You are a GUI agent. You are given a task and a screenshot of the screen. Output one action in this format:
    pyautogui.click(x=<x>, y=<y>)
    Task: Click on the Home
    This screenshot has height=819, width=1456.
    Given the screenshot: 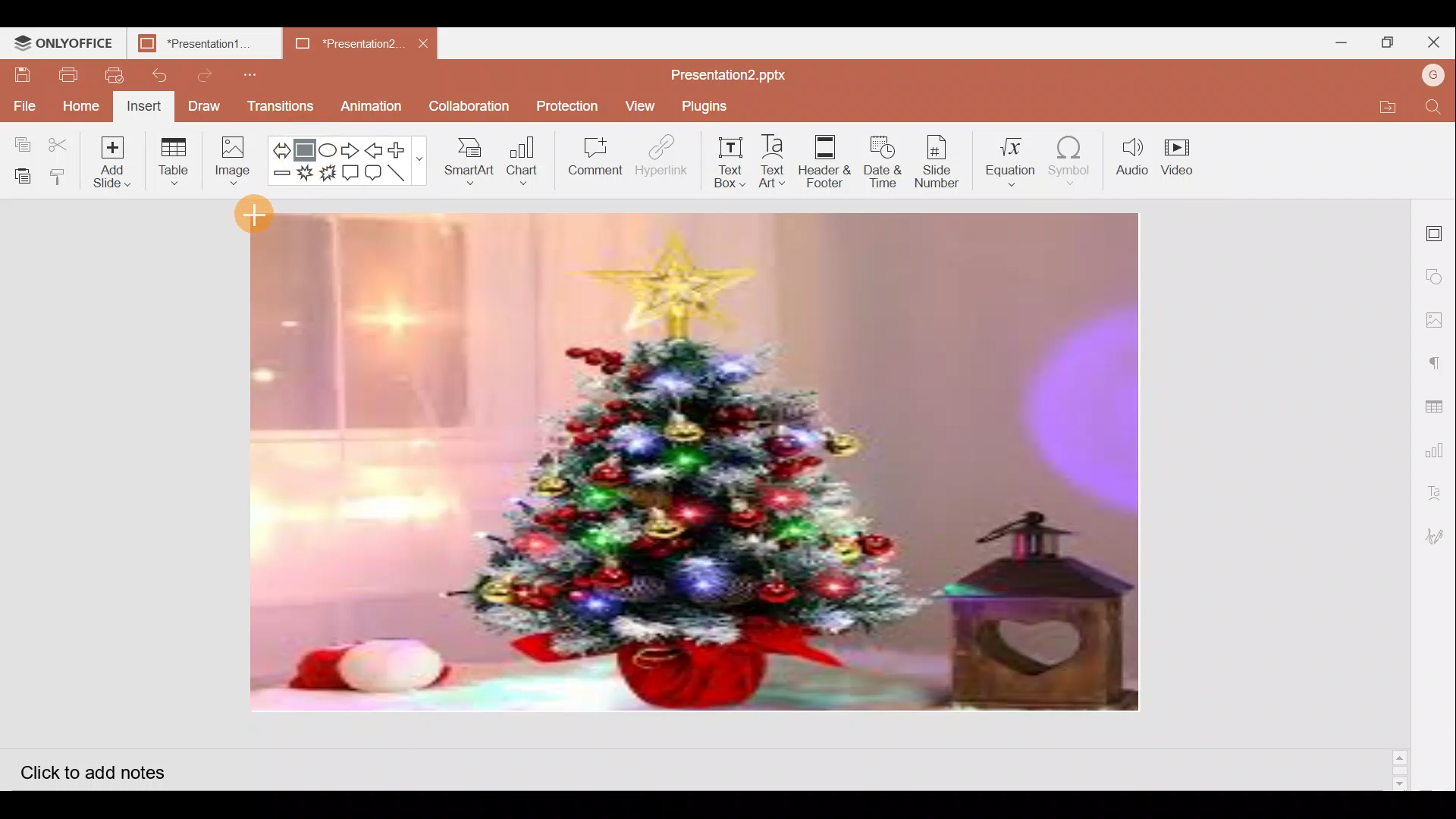 What is the action you would take?
    pyautogui.click(x=82, y=105)
    